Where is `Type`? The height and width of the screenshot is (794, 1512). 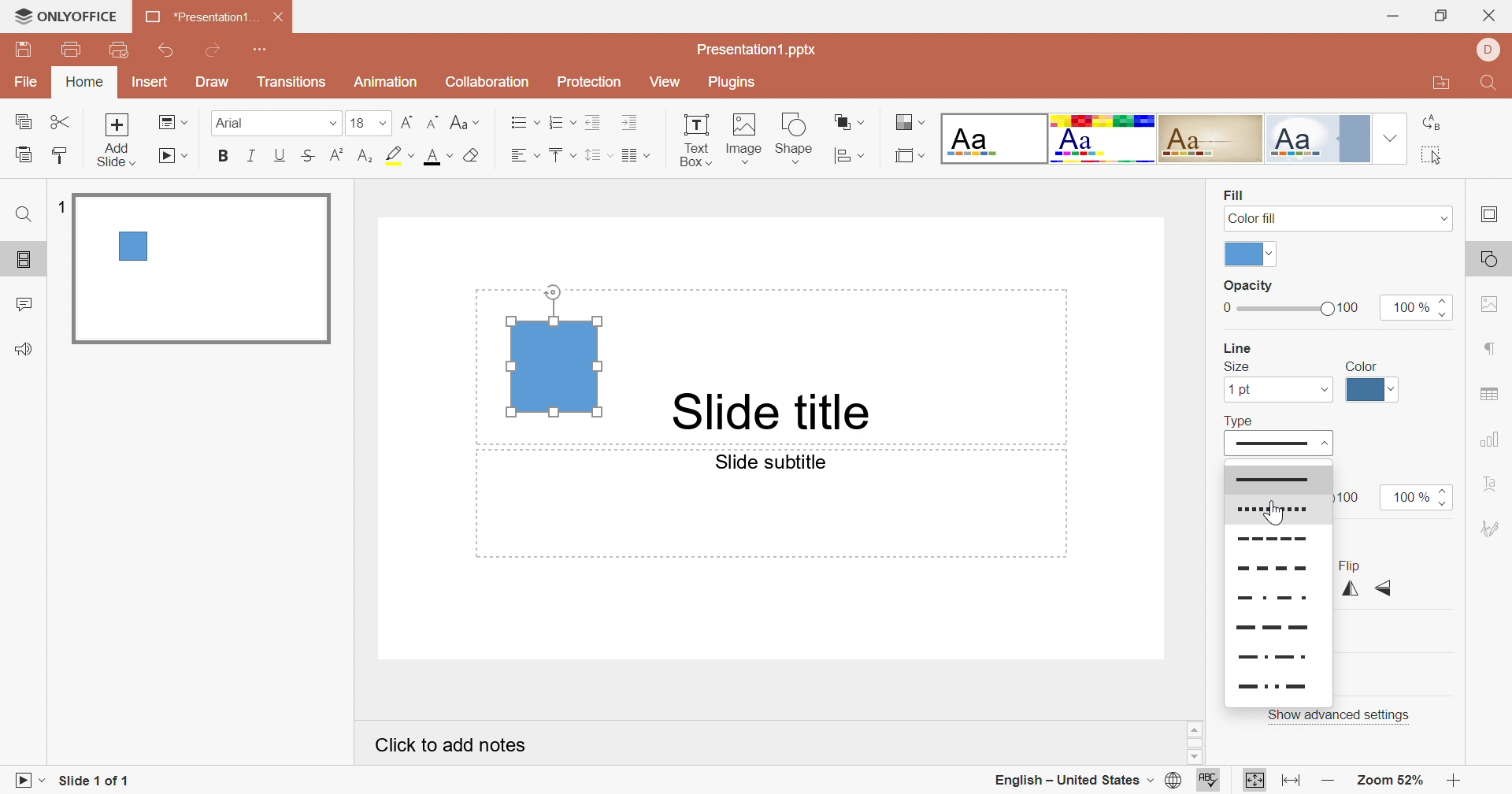
Type is located at coordinates (1241, 419).